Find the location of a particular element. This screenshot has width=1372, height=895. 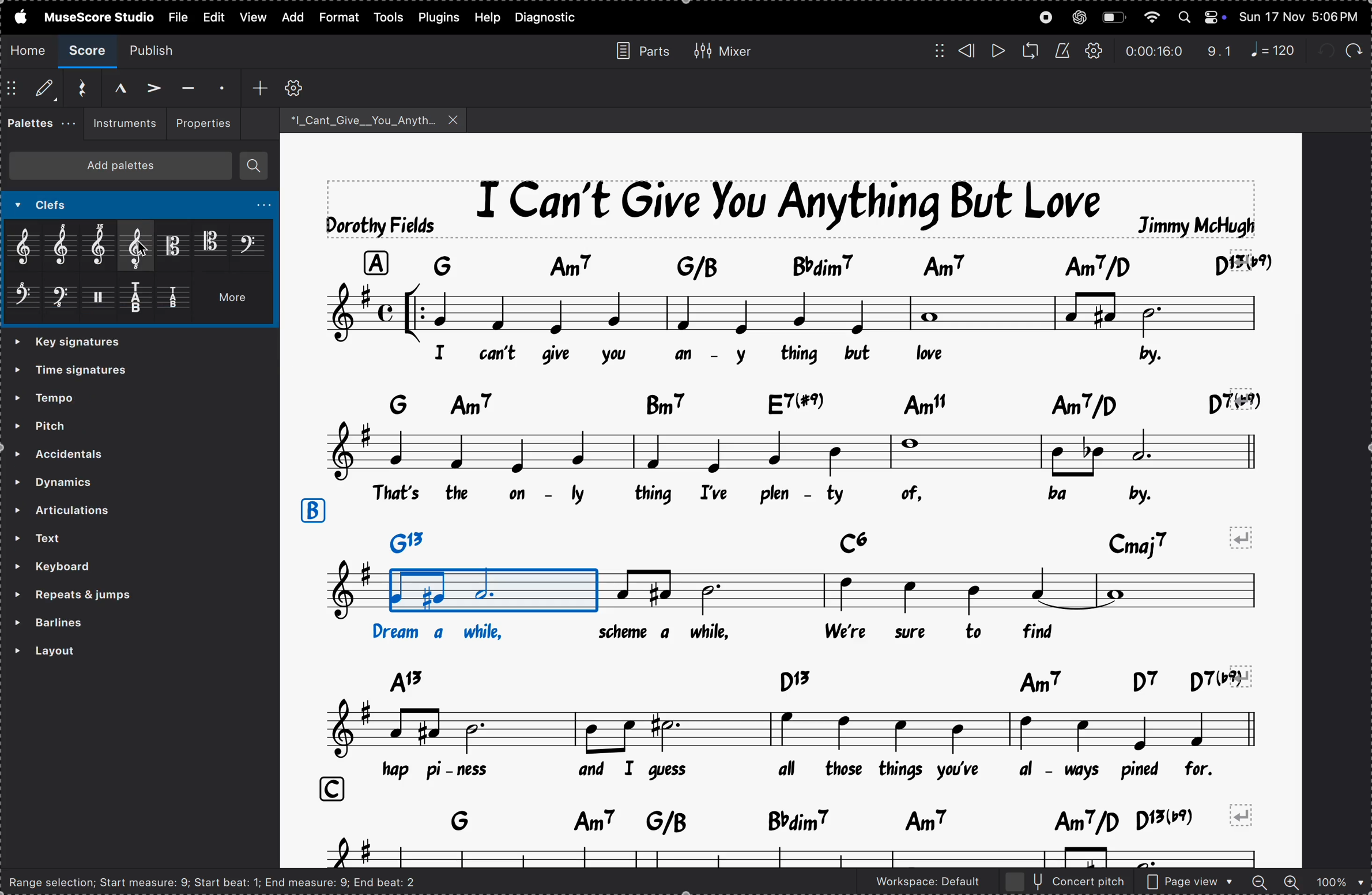

note is located at coordinates (1278, 50).